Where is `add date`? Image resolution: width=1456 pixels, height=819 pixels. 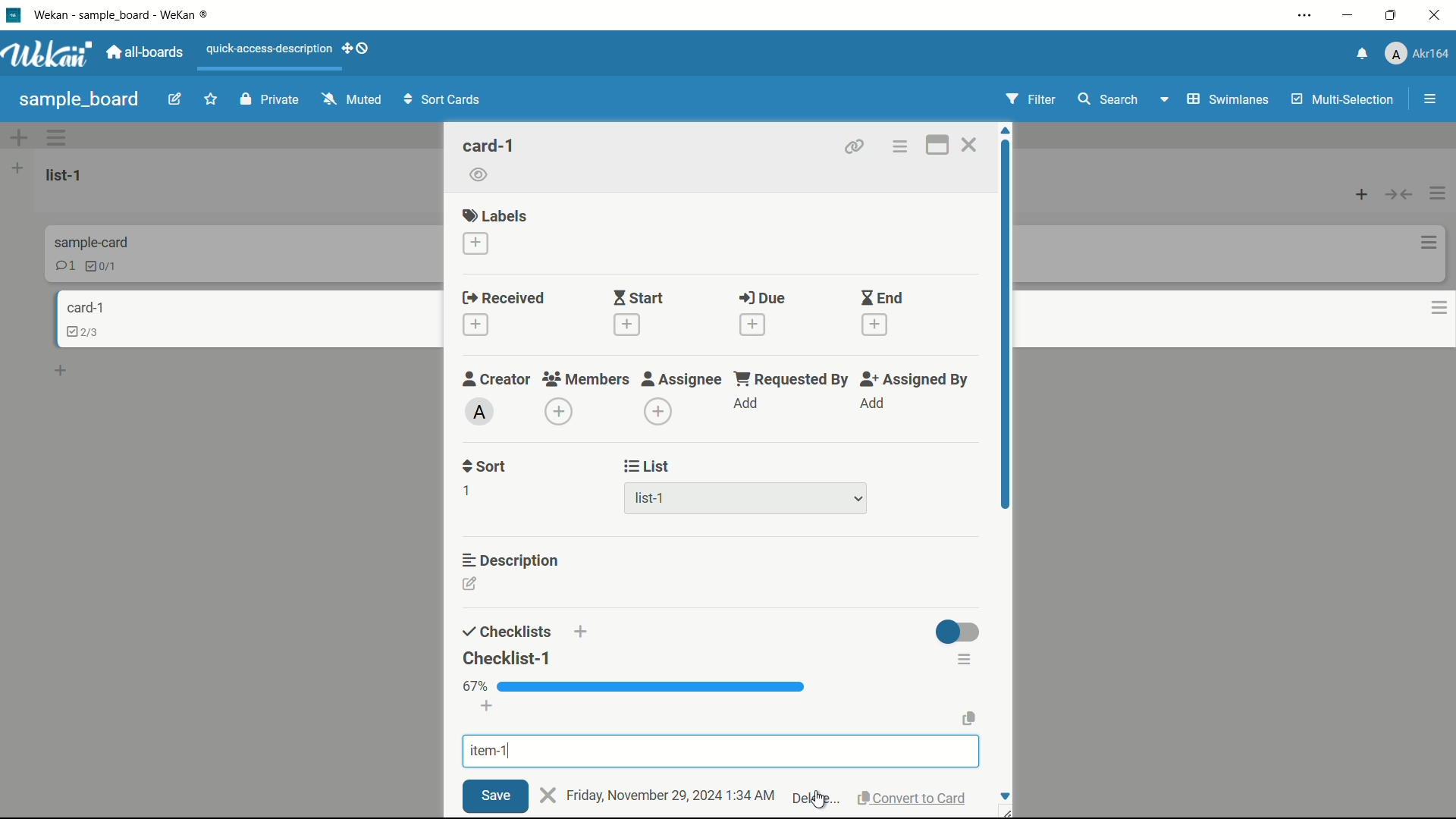
add date is located at coordinates (752, 324).